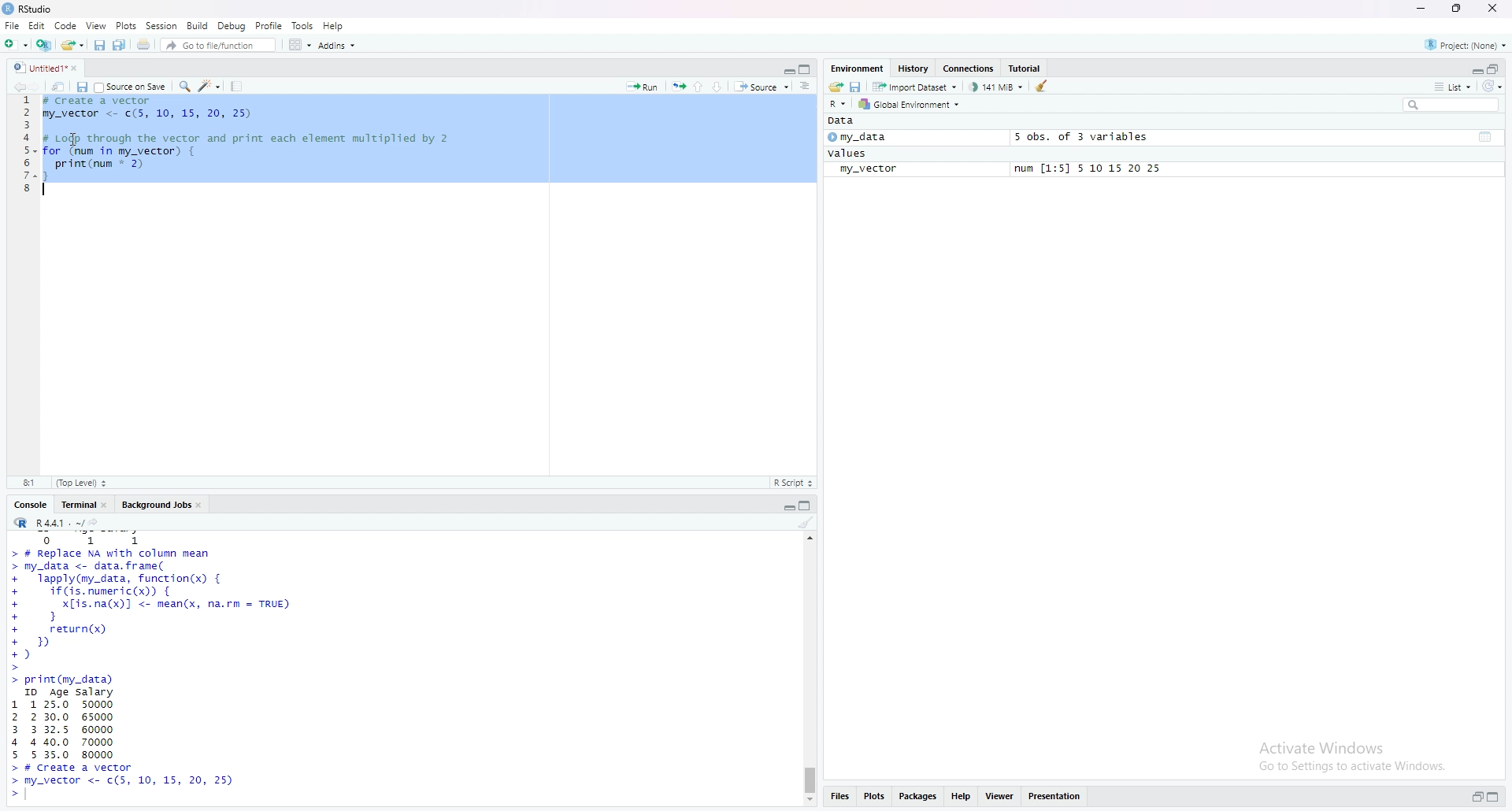 The height and width of the screenshot is (811, 1512). I want to click on go to previous section, so click(698, 86).